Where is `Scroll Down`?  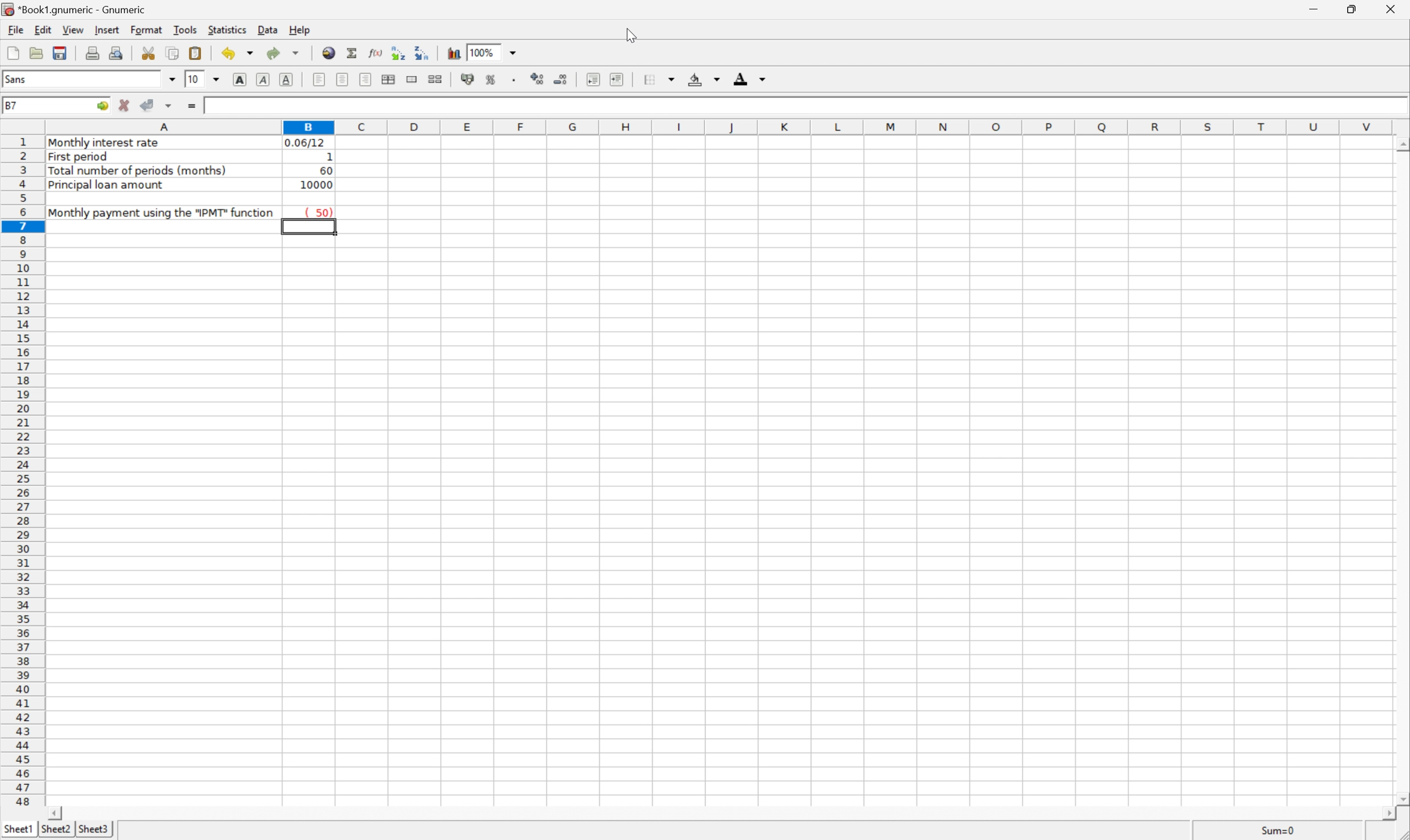 Scroll Down is located at coordinates (1401, 798).